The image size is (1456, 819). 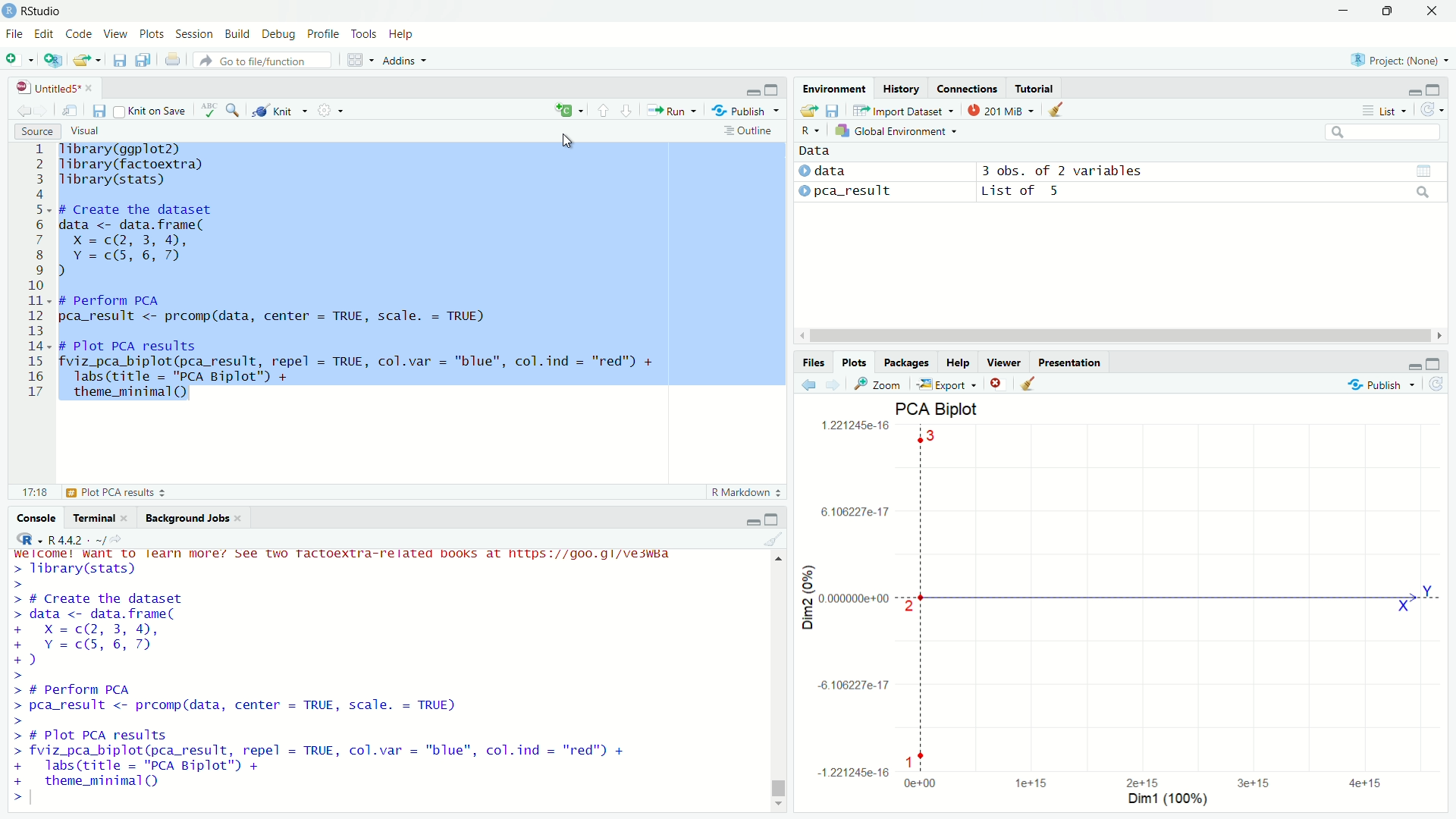 I want to click on console, so click(x=37, y=518).